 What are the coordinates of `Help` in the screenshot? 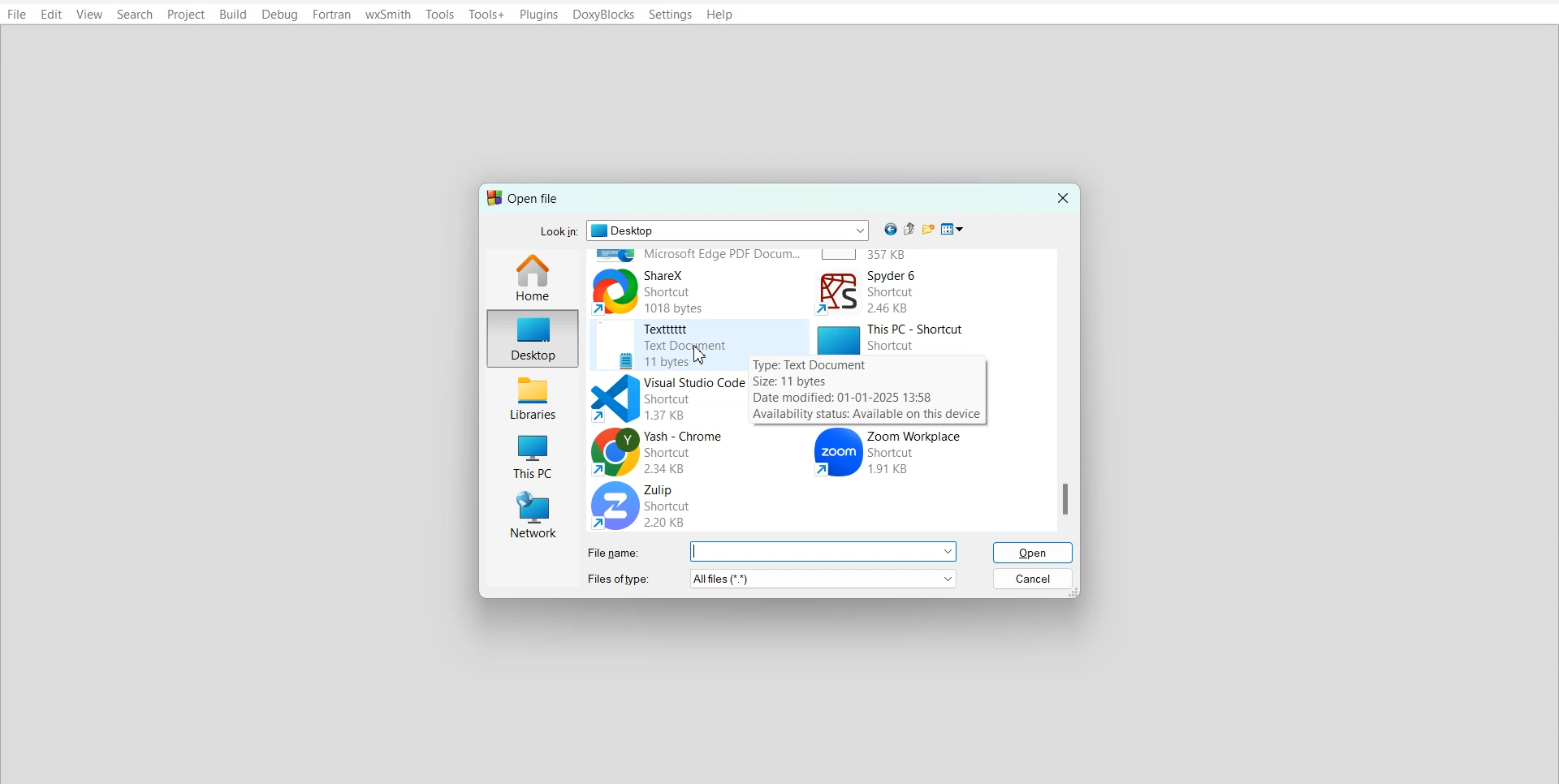 It's located at (719, 15).